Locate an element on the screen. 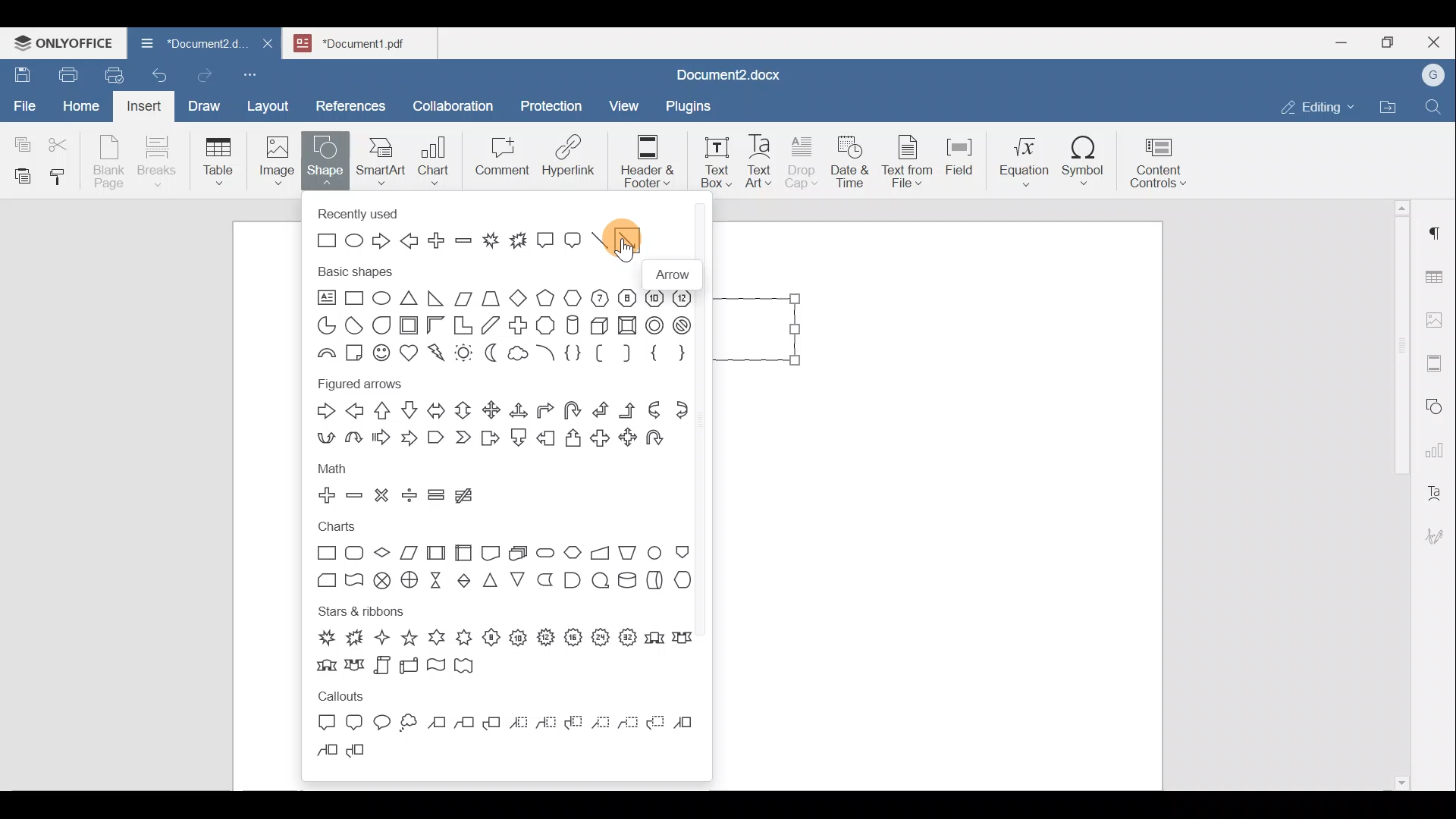 The height and width of the screenshot is (819, 1456). Equation is located at coordinates (1028, 161).